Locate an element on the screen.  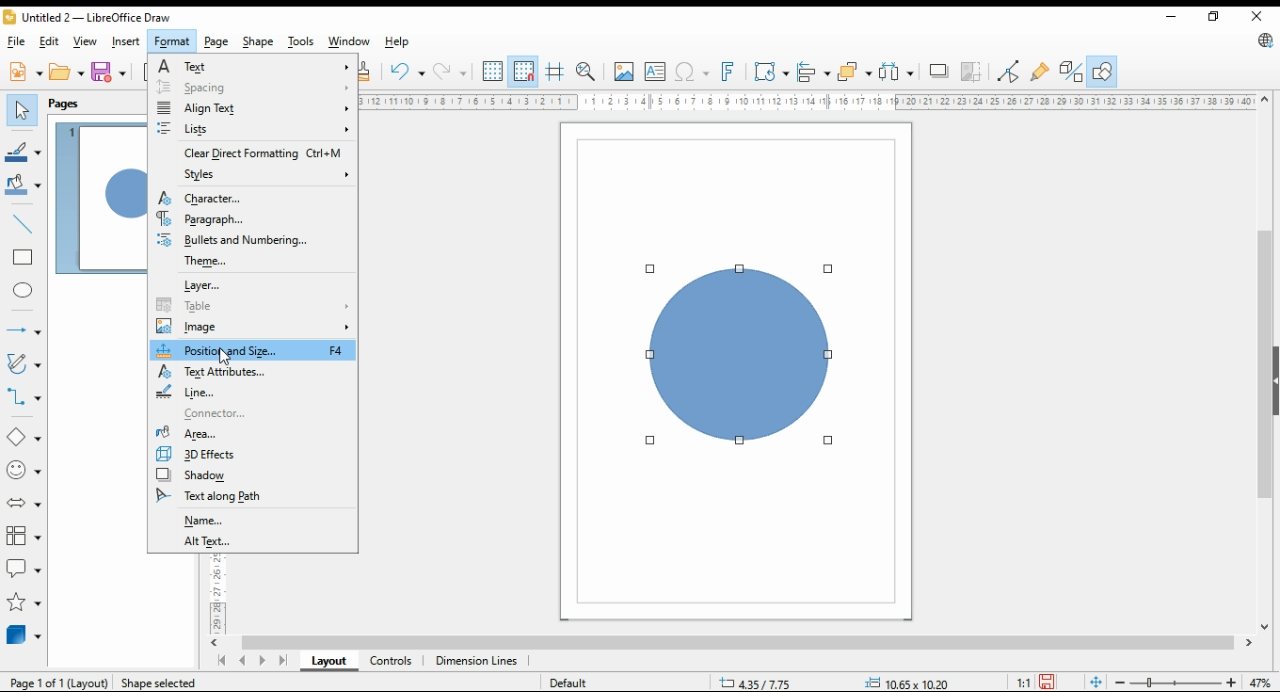
redo is located at coordinates (449, 71).